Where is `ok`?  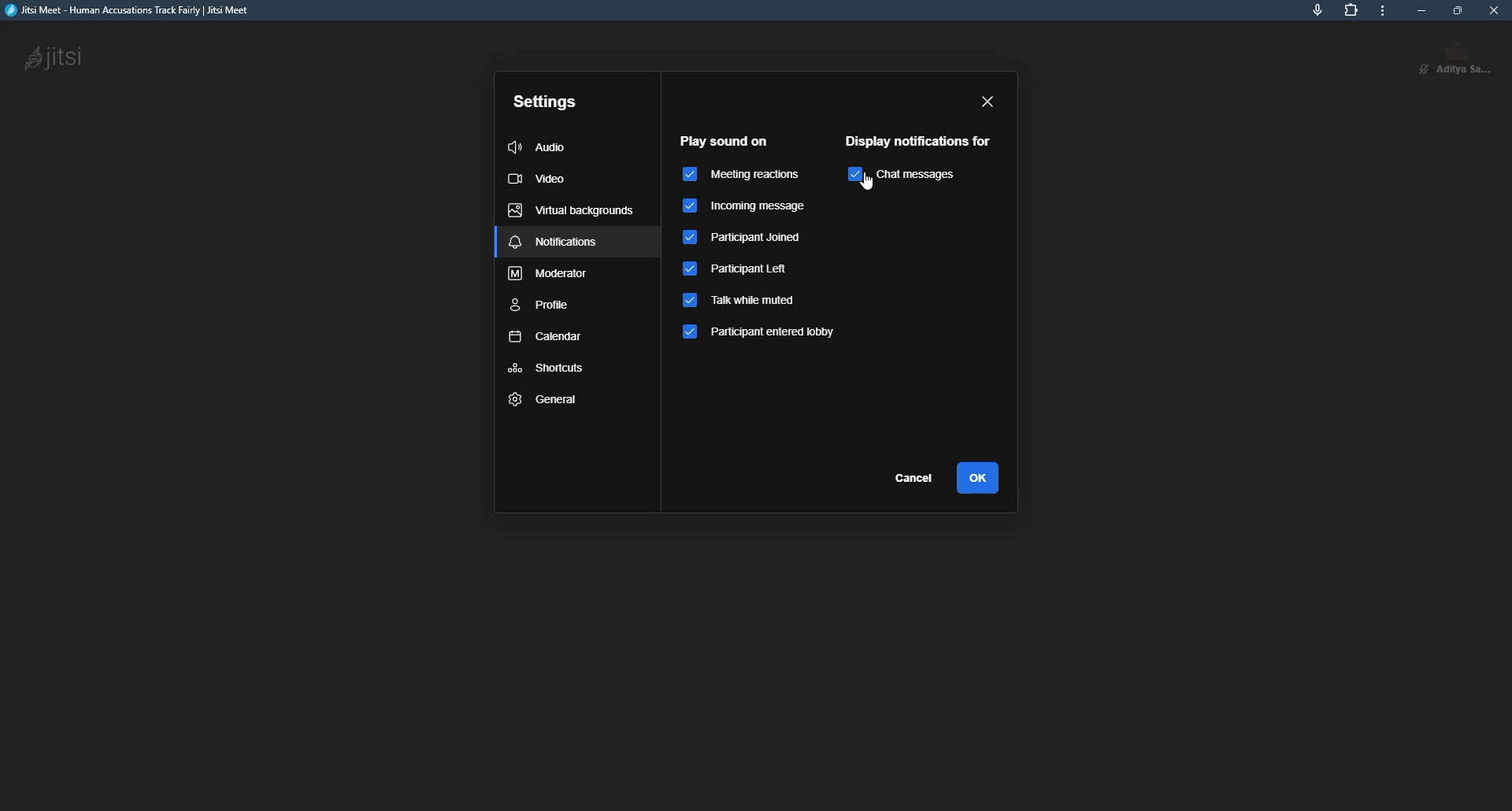 ok is located at coordinates (984, 478).